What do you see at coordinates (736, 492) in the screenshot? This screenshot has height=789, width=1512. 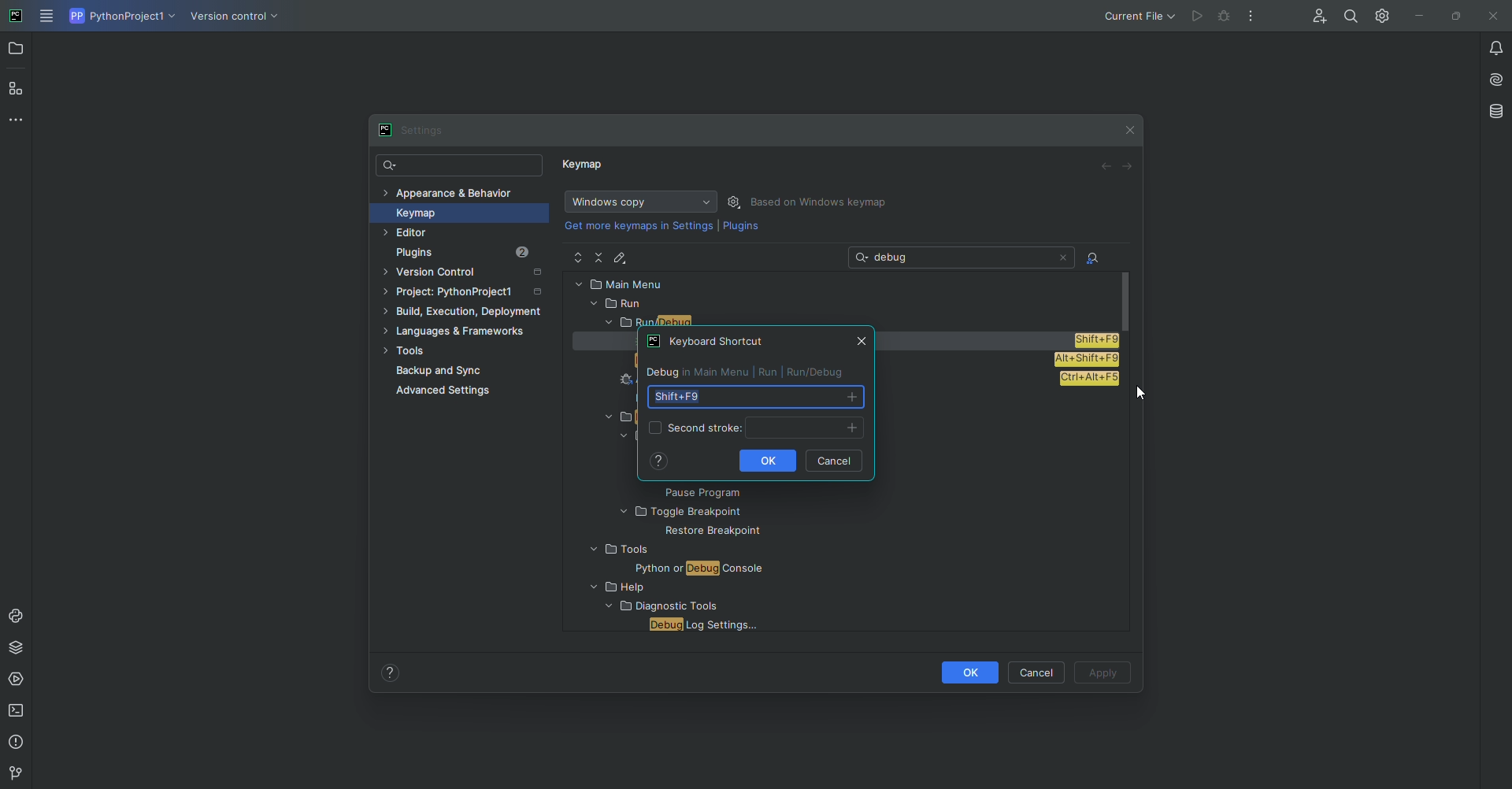 I see `FILE NAME` at bounding box center [736, 492].